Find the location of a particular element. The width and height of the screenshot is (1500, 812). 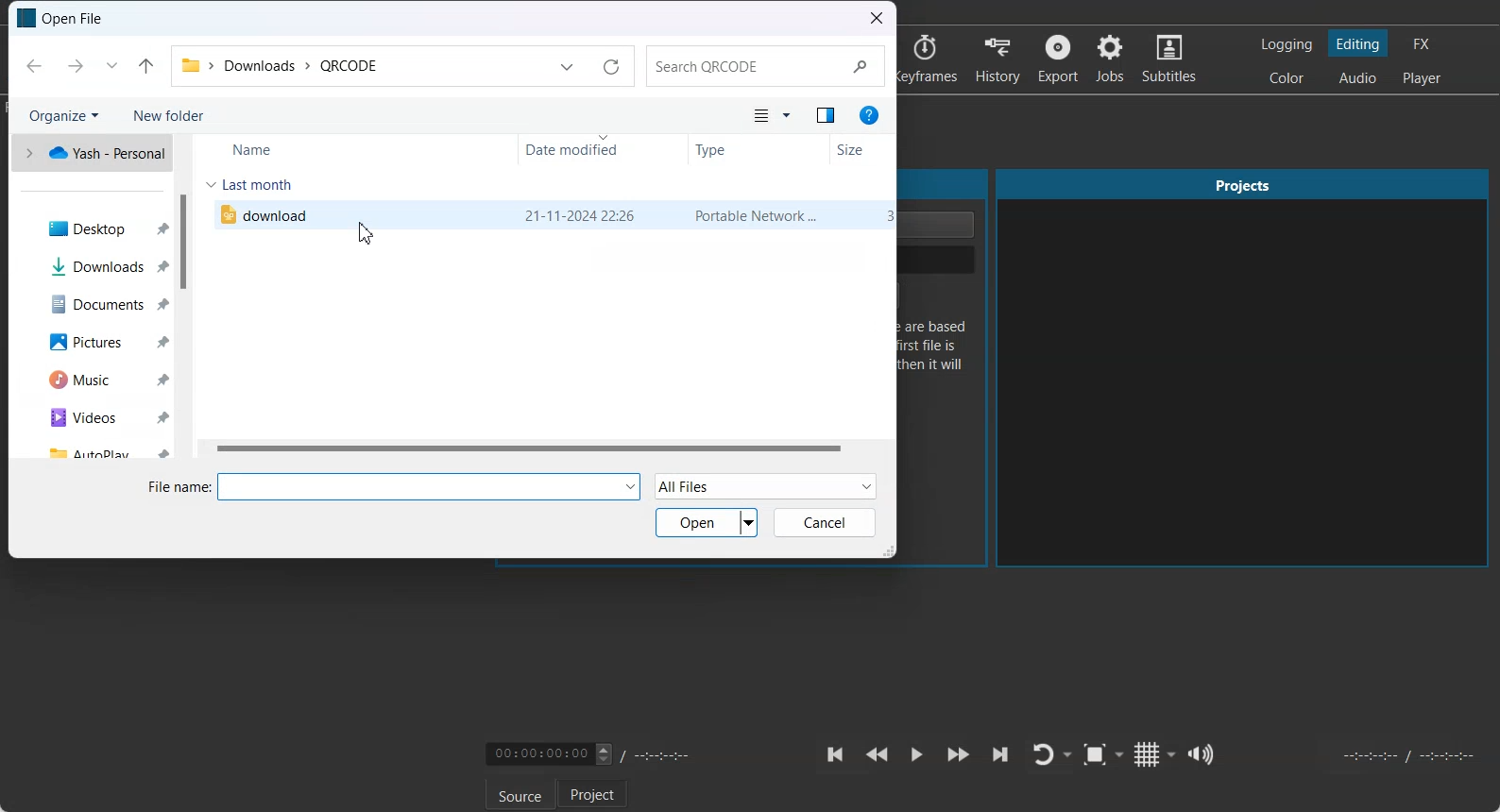

Last month is located at coordinates (250, 186).